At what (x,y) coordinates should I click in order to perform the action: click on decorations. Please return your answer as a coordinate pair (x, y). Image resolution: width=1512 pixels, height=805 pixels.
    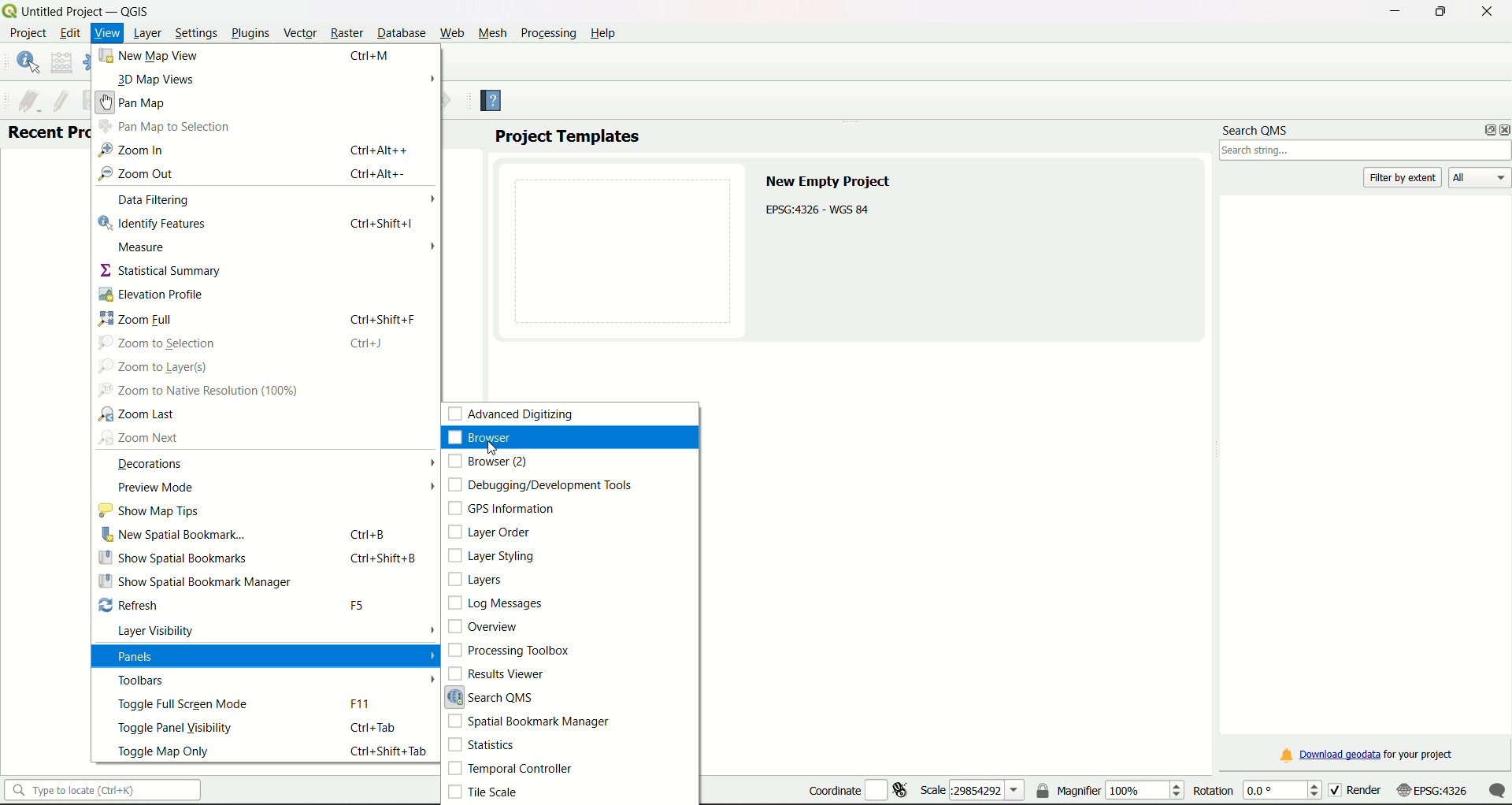
    Looking at the image, I should click on (150, 466).